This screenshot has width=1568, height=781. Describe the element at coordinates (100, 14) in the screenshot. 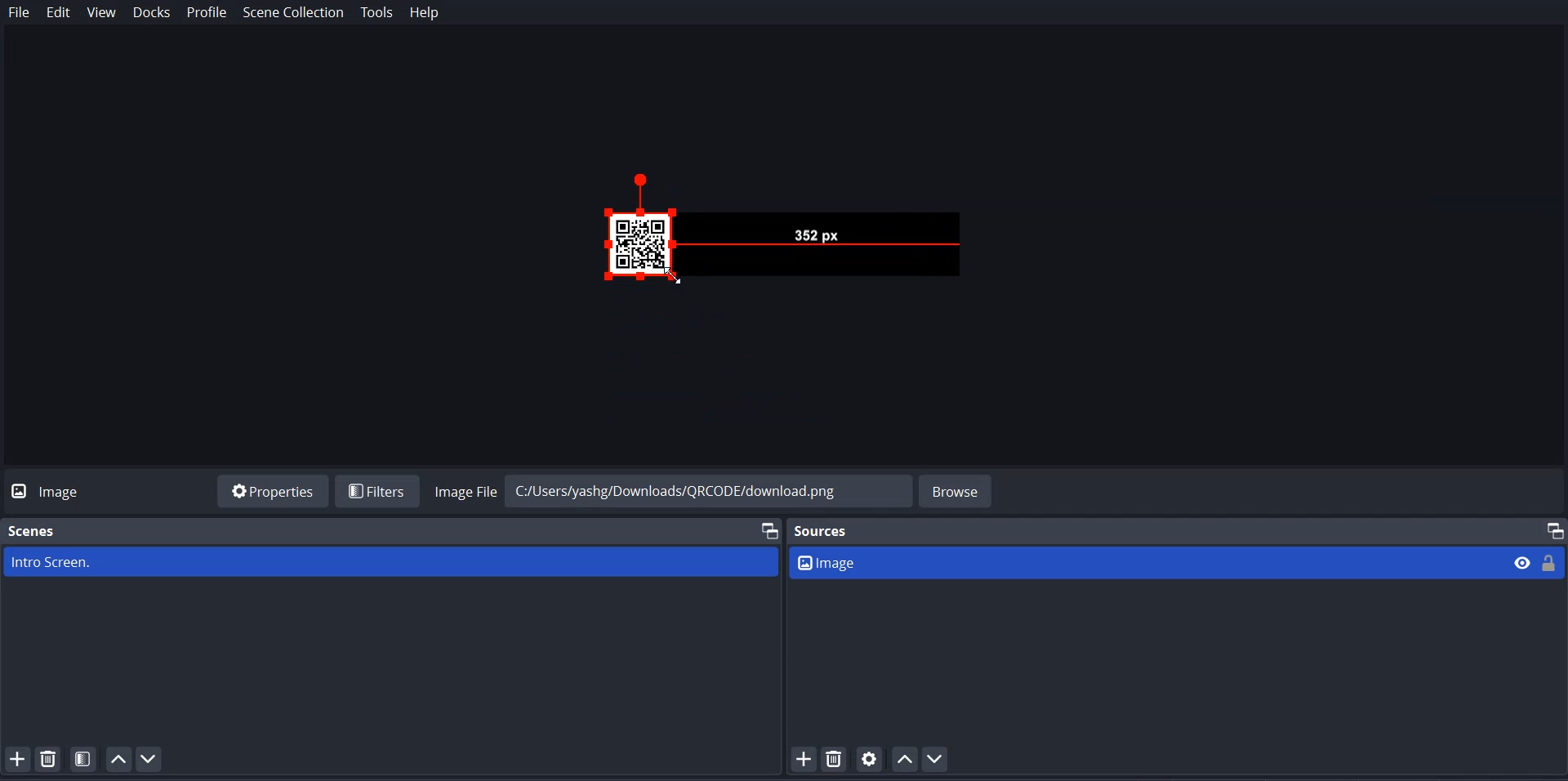

I see `View` at that location.